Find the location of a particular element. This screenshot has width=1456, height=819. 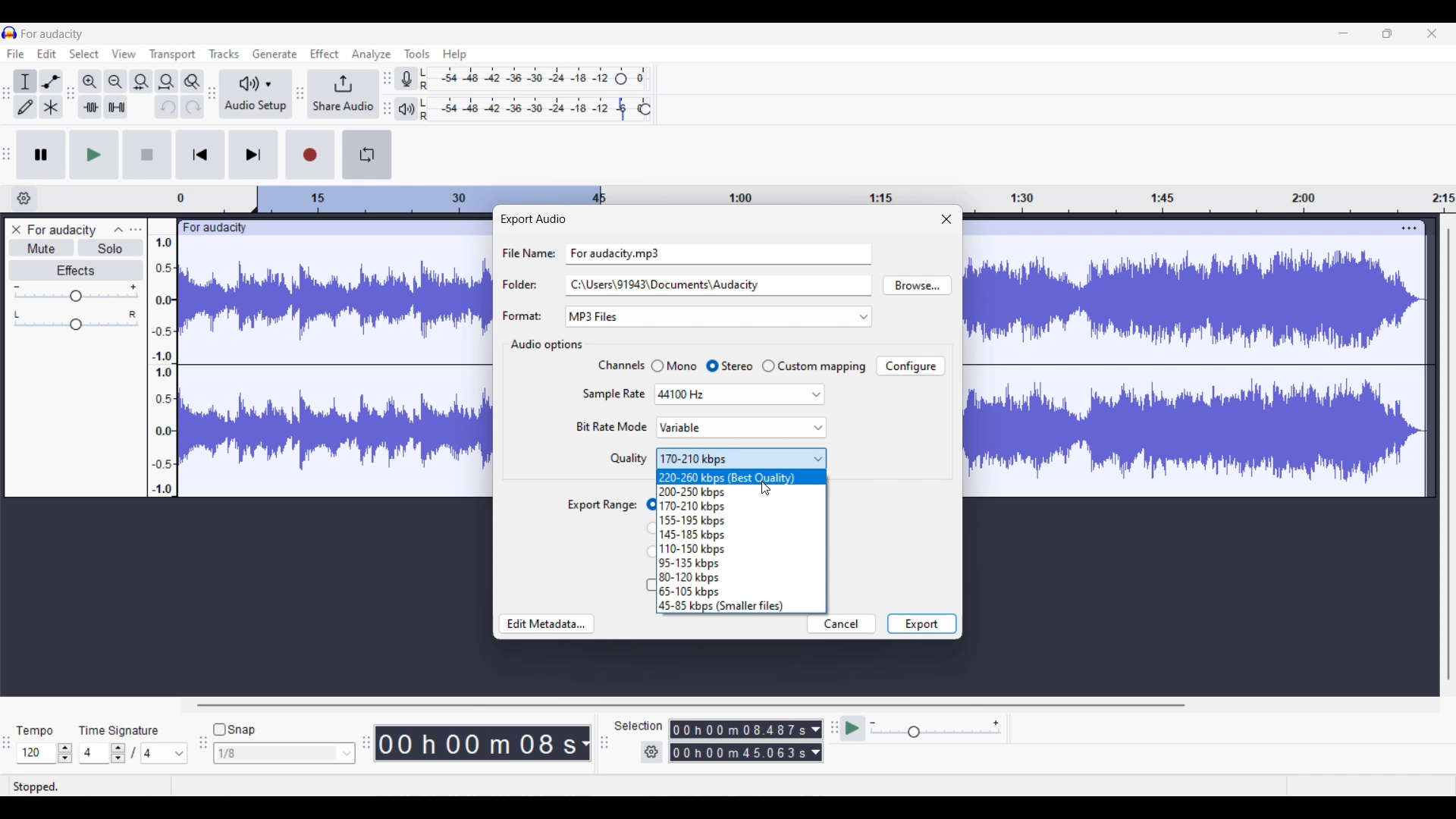

Mute is located at coordinates (42, 247).